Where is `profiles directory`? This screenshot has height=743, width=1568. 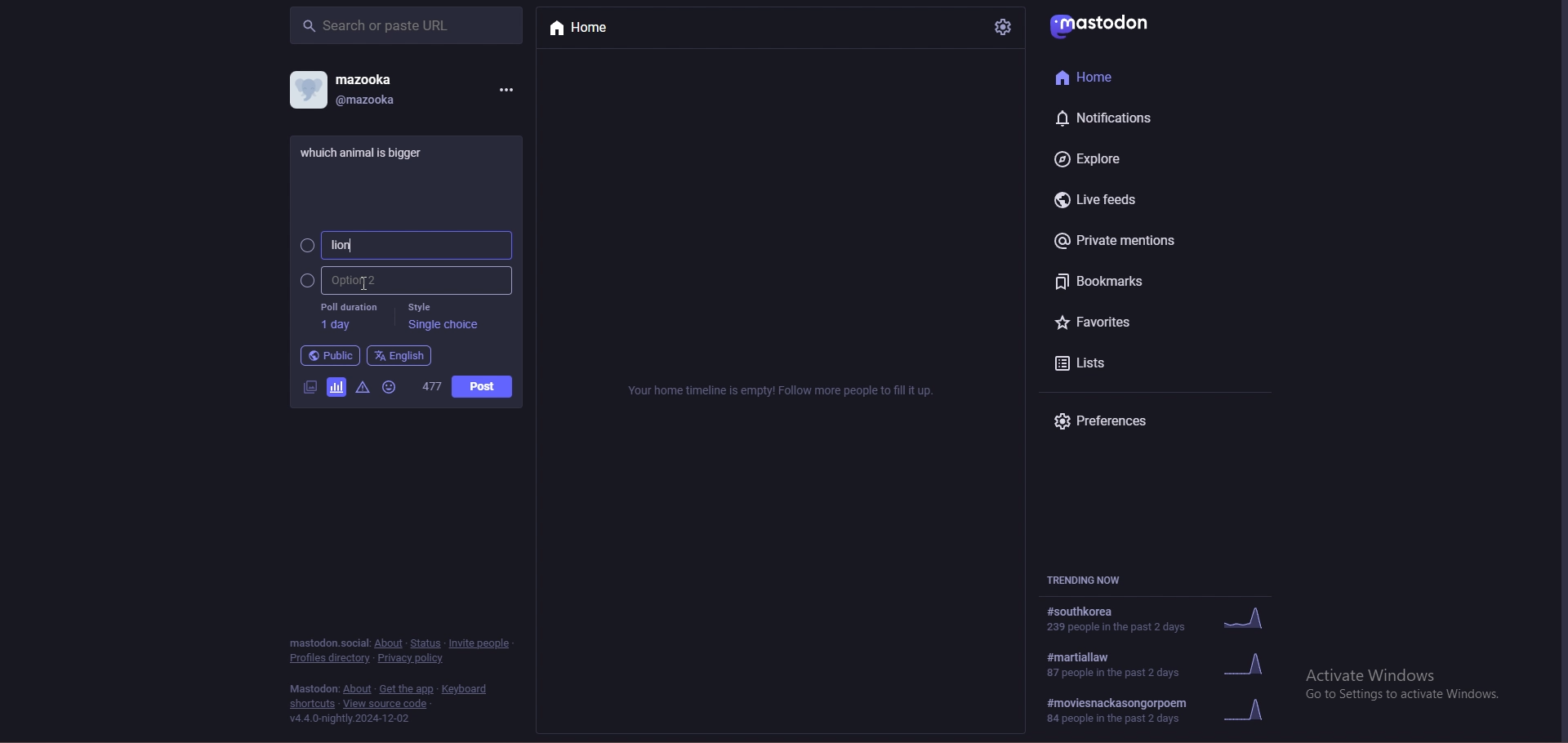
profiles directory is located at coordinates (329, 659).